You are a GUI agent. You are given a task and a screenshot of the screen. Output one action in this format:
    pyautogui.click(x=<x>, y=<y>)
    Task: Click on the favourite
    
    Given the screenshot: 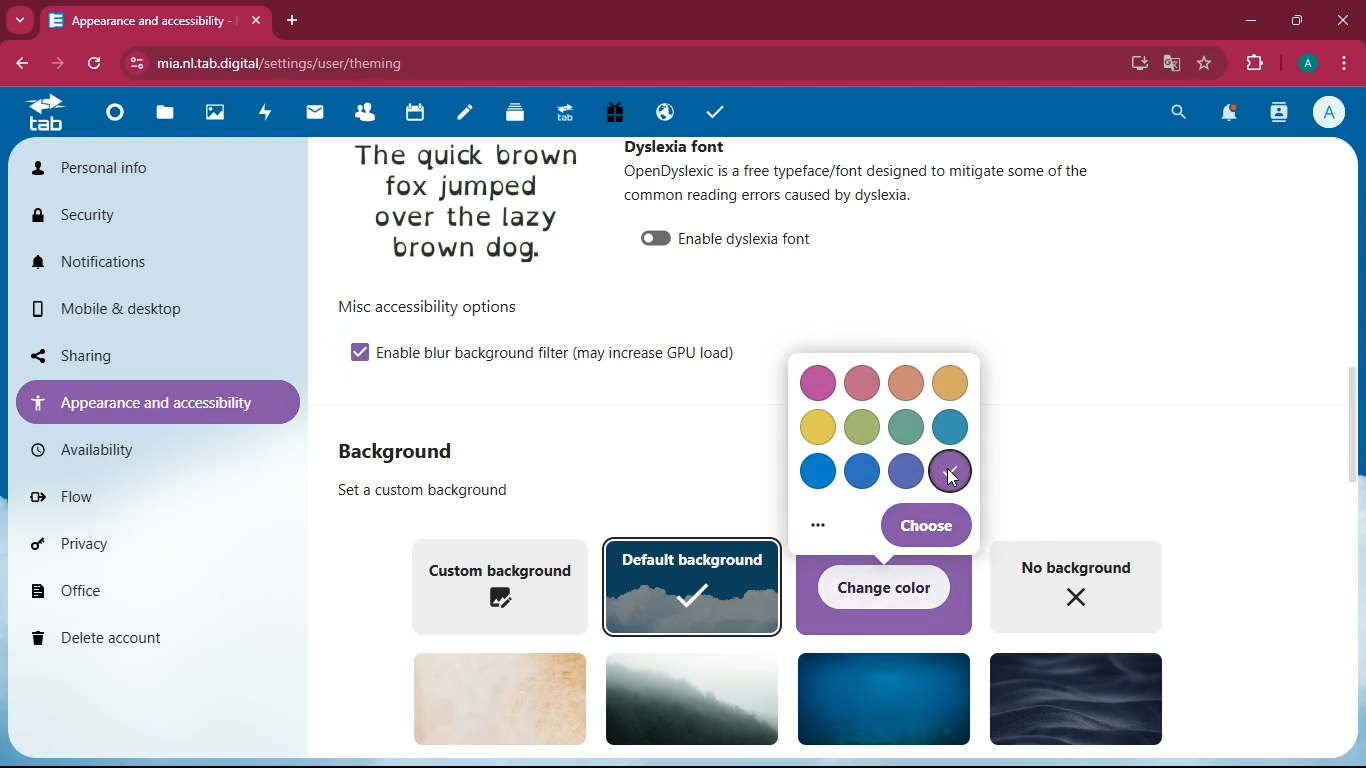 What is the action you would take?
    pyautogui.click(x=1205, y=63)
    